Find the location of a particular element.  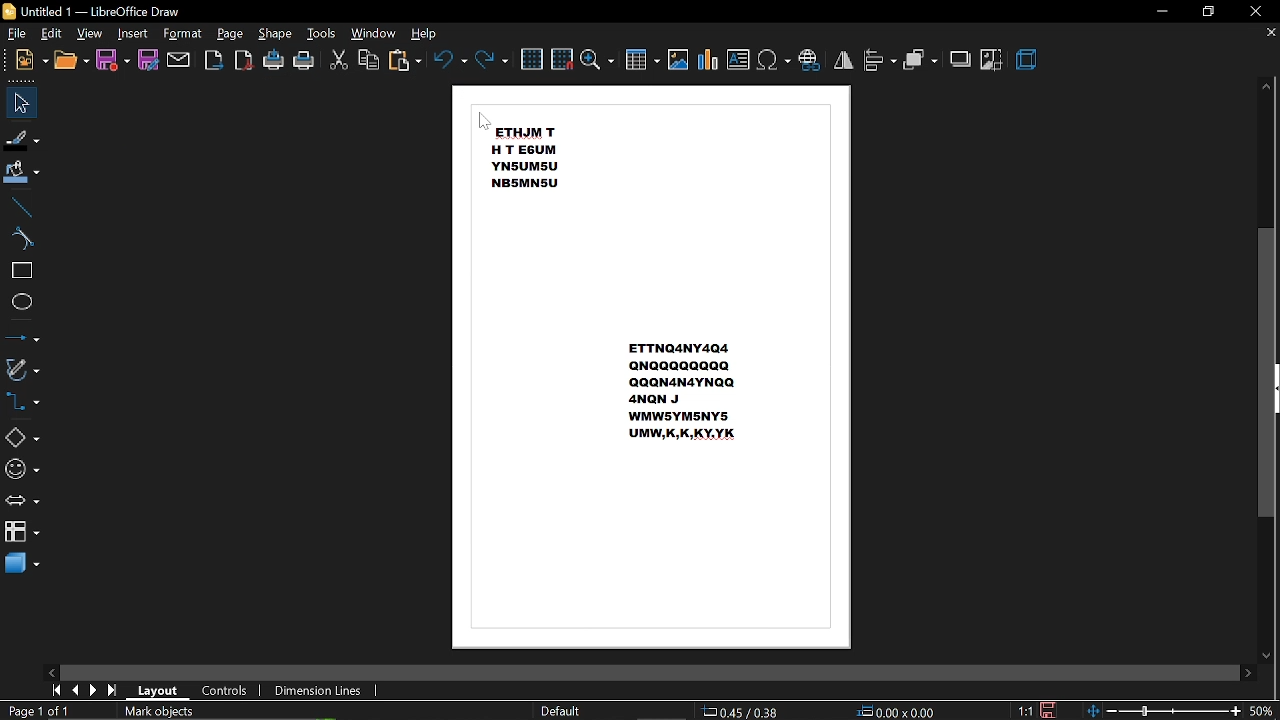

cursor is located at coordinates (486, 124).